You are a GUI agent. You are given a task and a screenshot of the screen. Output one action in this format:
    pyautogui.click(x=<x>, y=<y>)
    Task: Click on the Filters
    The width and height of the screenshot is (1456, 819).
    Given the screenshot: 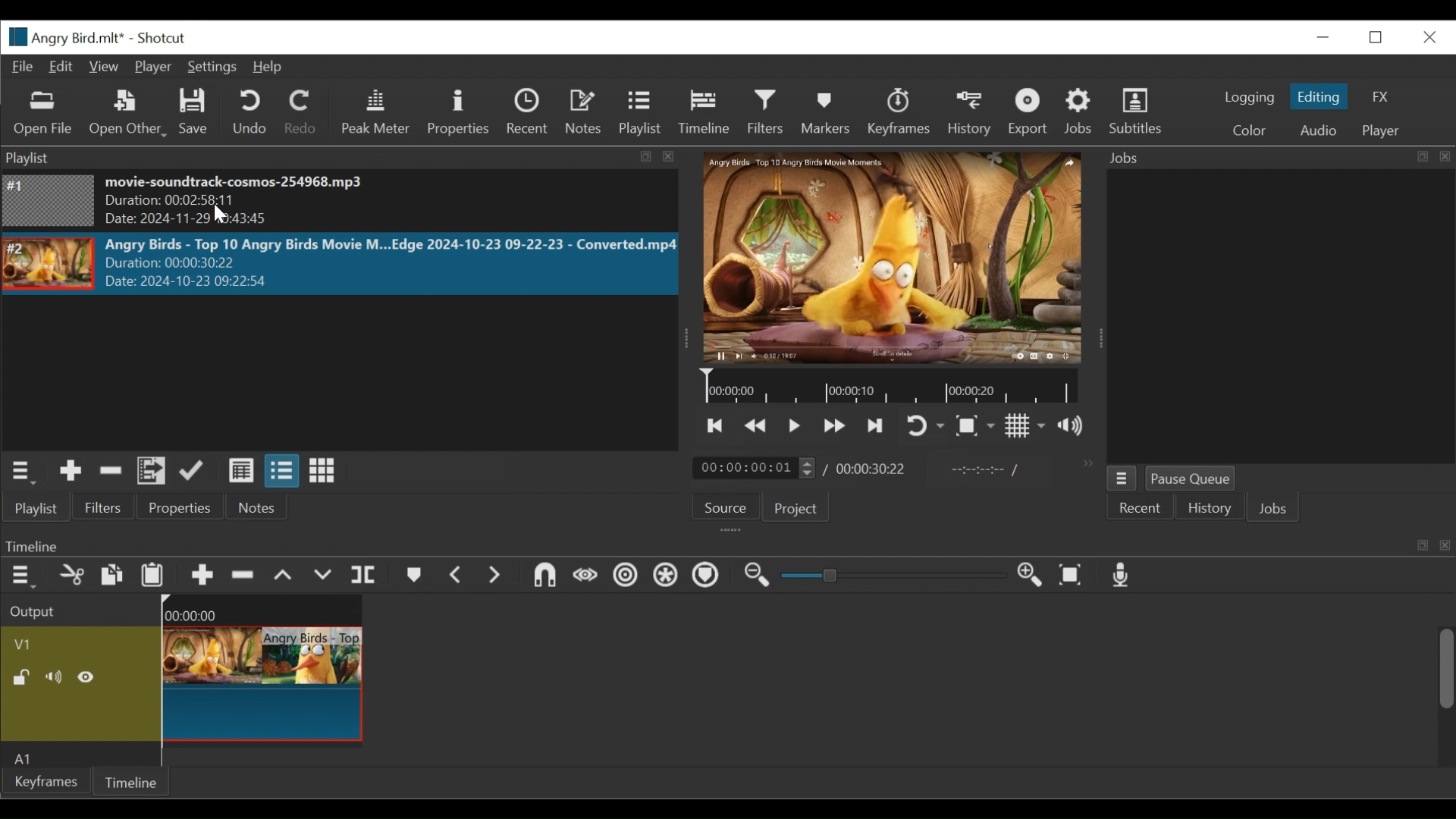 What is the action you would take?
    pyautogui.click(x=110, y=507)
    